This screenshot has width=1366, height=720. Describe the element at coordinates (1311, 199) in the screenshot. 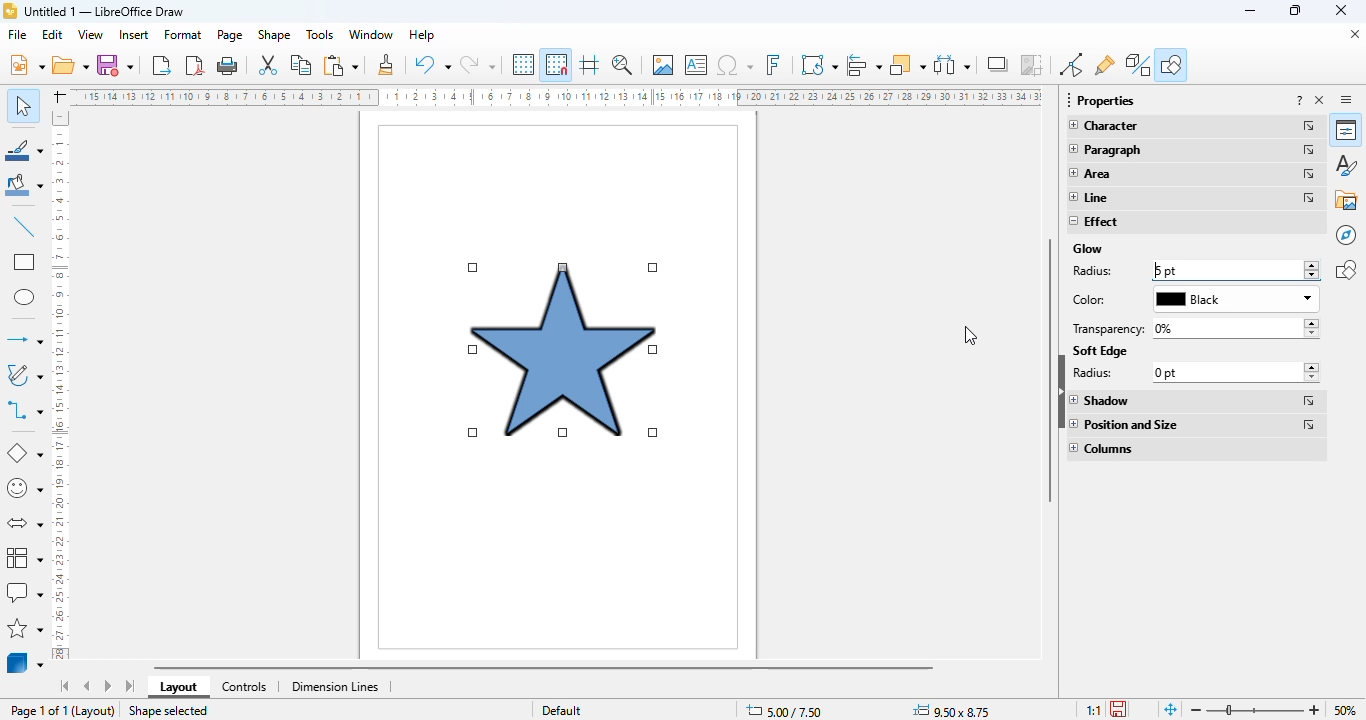

I see `more options` at that location.